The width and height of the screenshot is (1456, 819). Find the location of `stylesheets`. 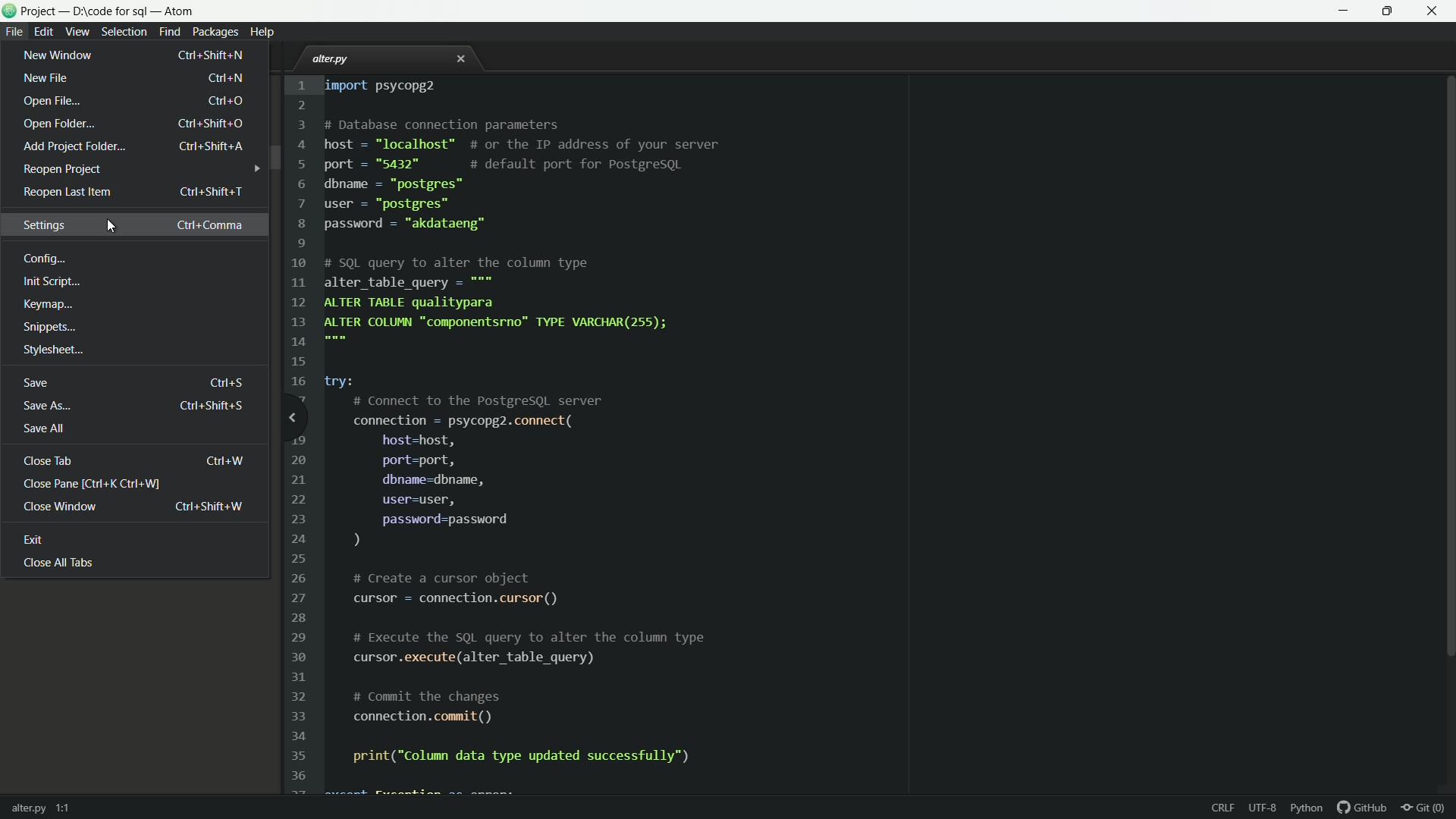

stylesheets is located at coordinates (54, 351).